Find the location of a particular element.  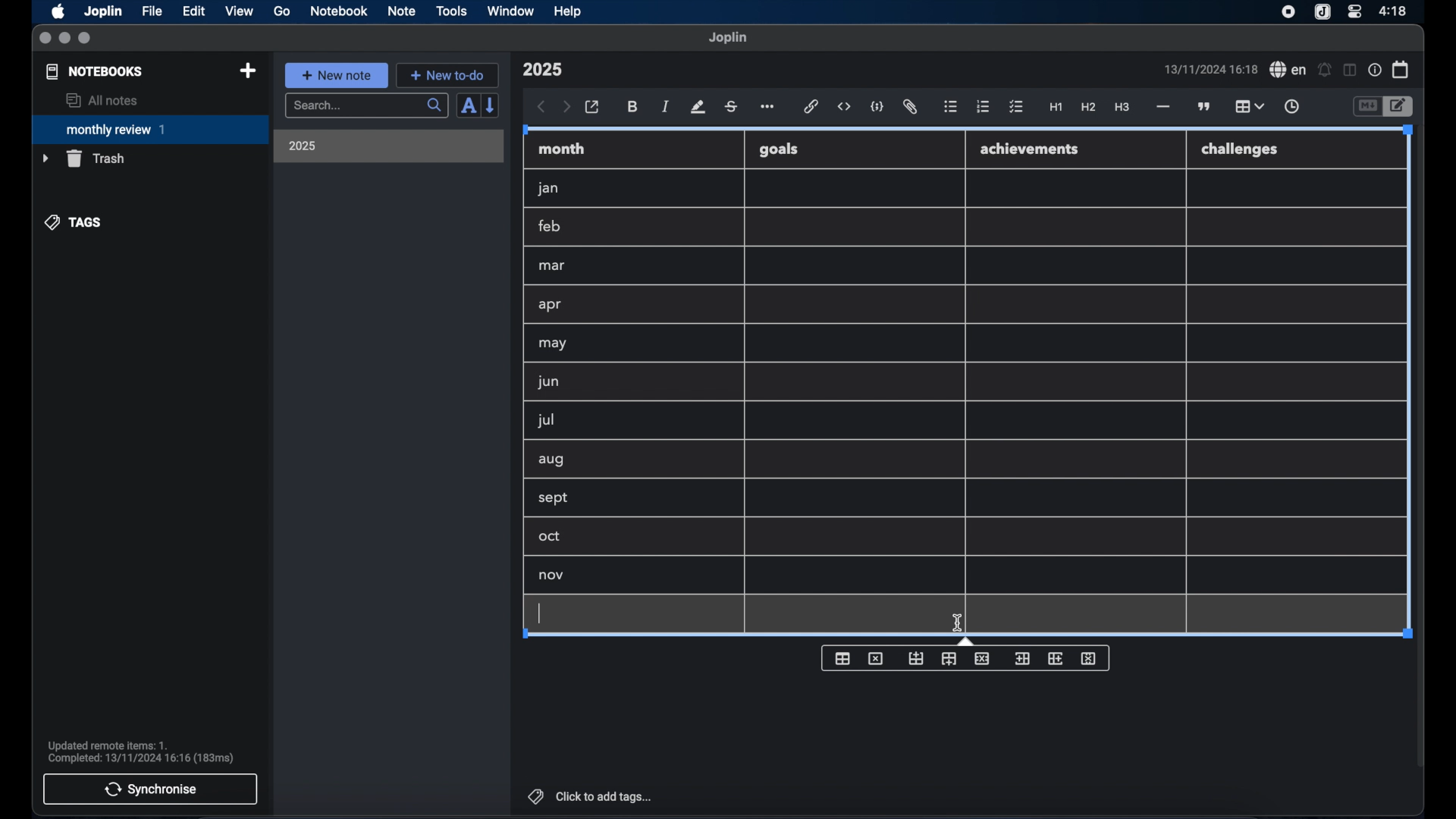

check  list is located at coordinates (1016, 108).